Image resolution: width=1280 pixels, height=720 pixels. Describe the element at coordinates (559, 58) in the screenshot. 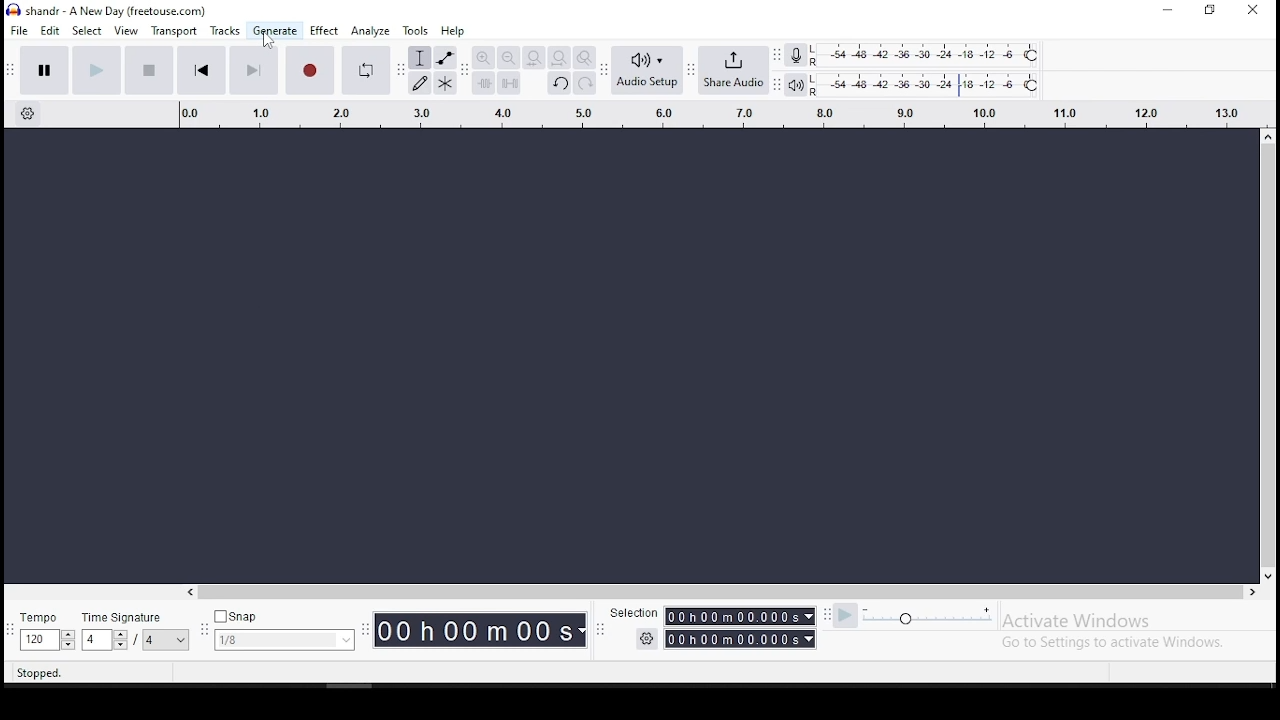

I see `fit project to width` at that location.